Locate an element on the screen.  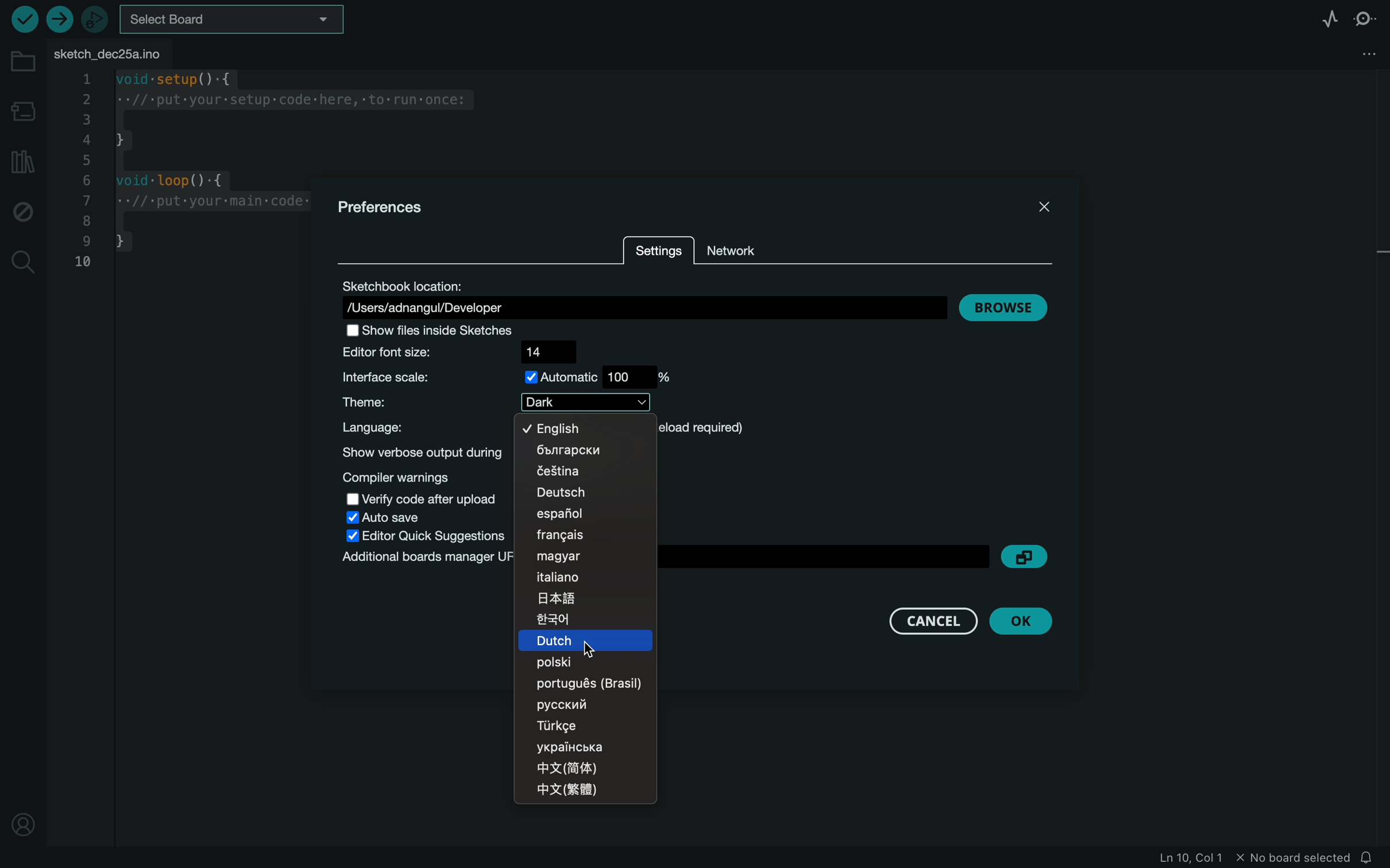
close is located at coordinates (1045, 206).